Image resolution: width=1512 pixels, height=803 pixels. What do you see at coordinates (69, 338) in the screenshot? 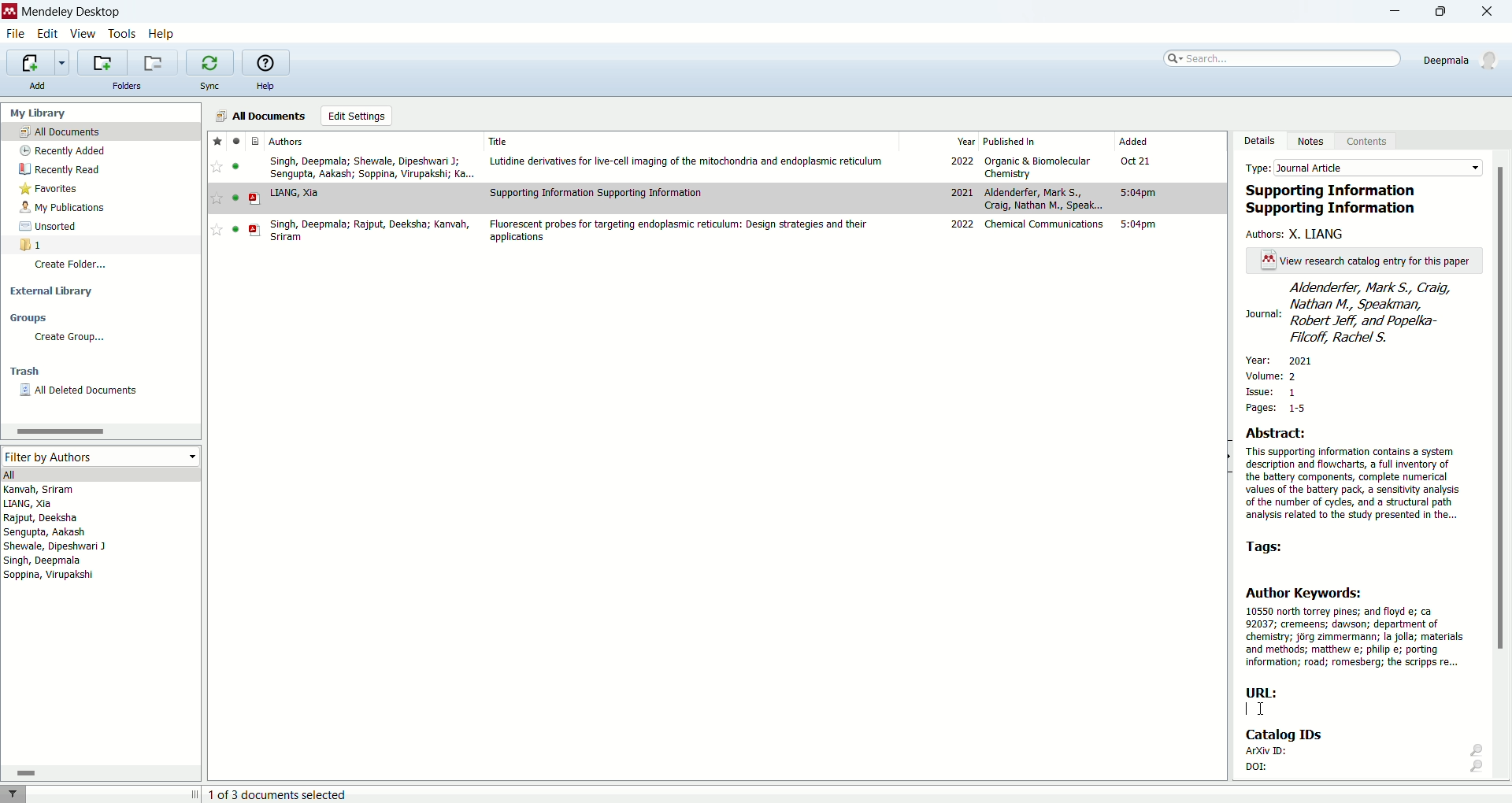
I see `Create group` at bounding box center [69, 338].